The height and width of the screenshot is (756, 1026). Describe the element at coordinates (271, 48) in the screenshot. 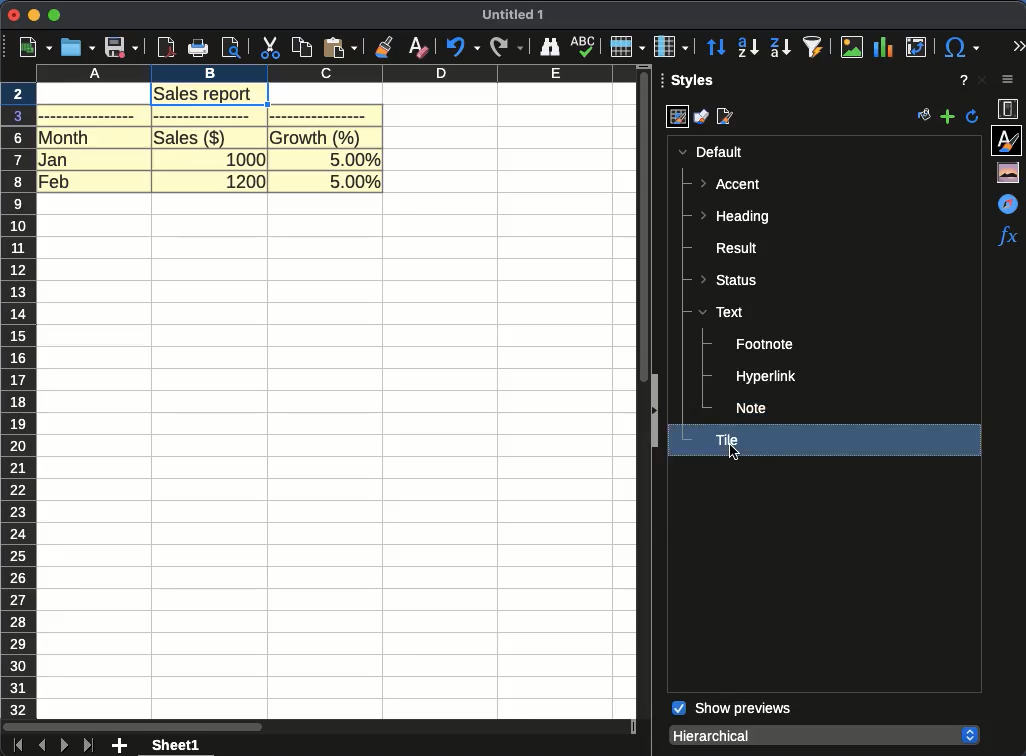

I see `cut` at that location.